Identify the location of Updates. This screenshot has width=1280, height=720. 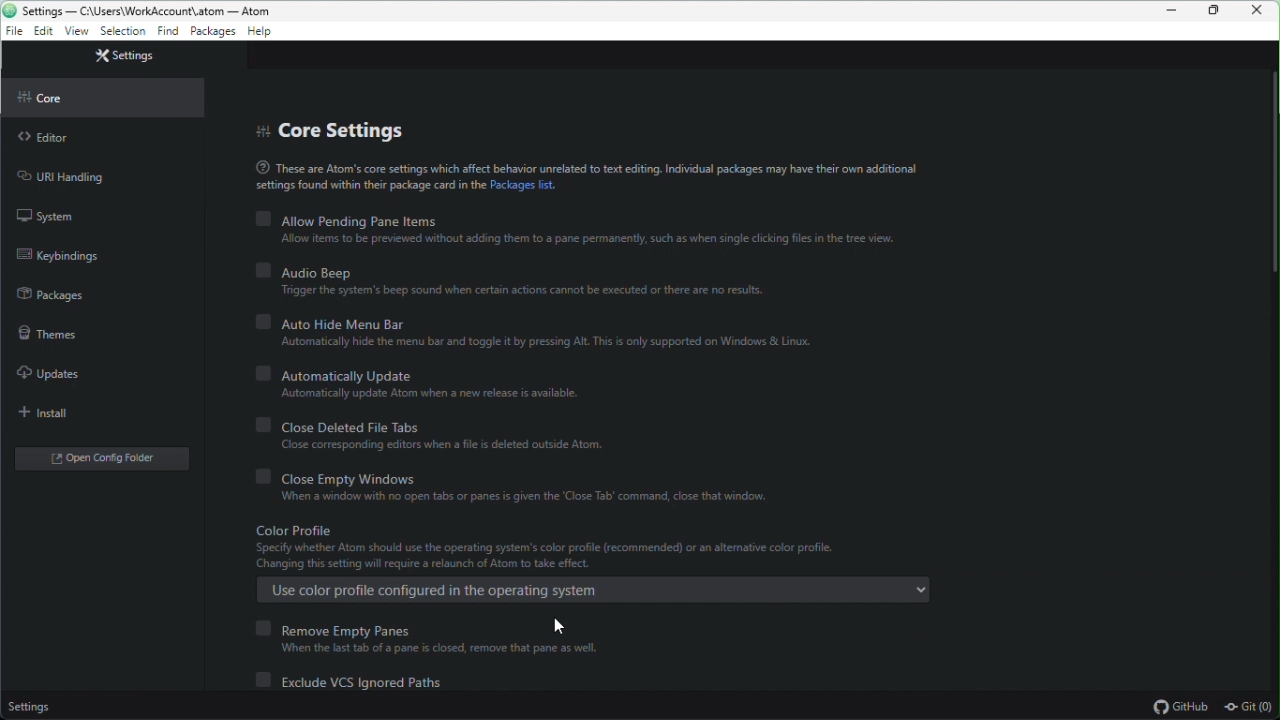
(44, 373).